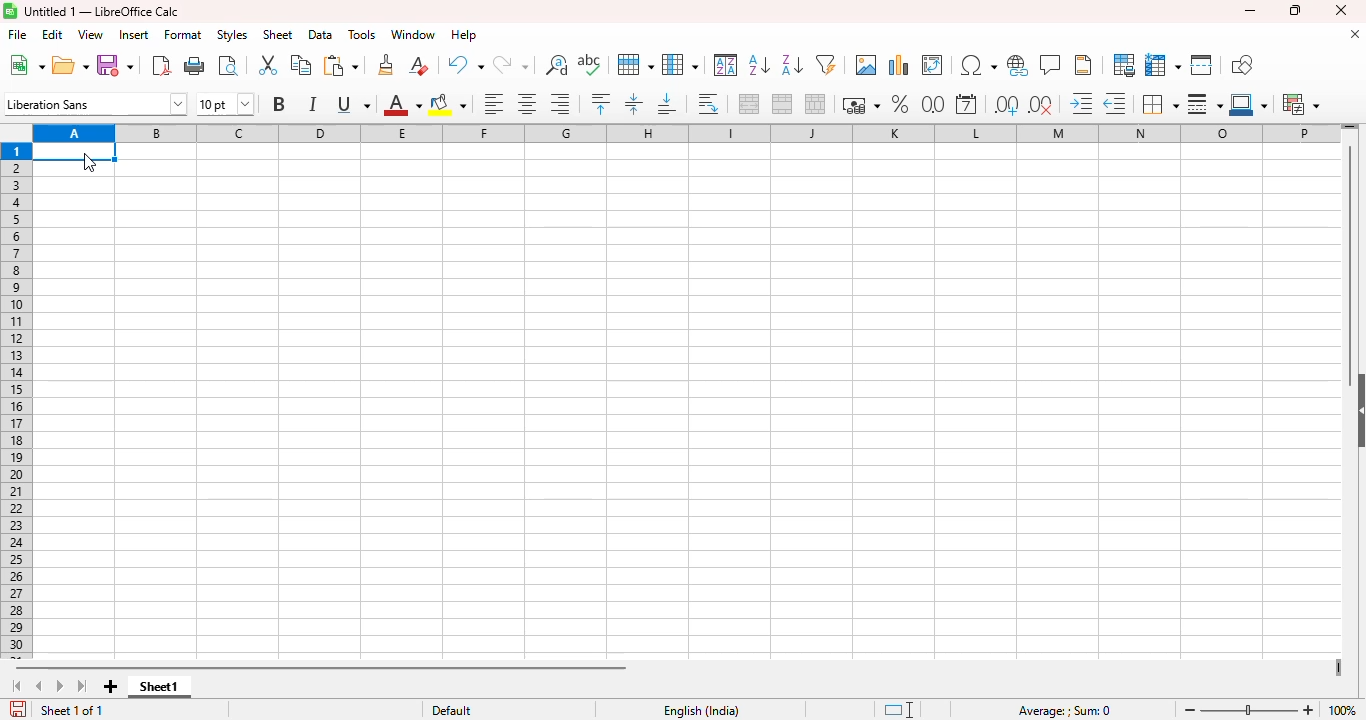 The width and height of the screenshot is (1366, 720). What do you see at coordinates (860, 105) in the screenshot?
I see `format as currency` at bounding box center [860, 105].